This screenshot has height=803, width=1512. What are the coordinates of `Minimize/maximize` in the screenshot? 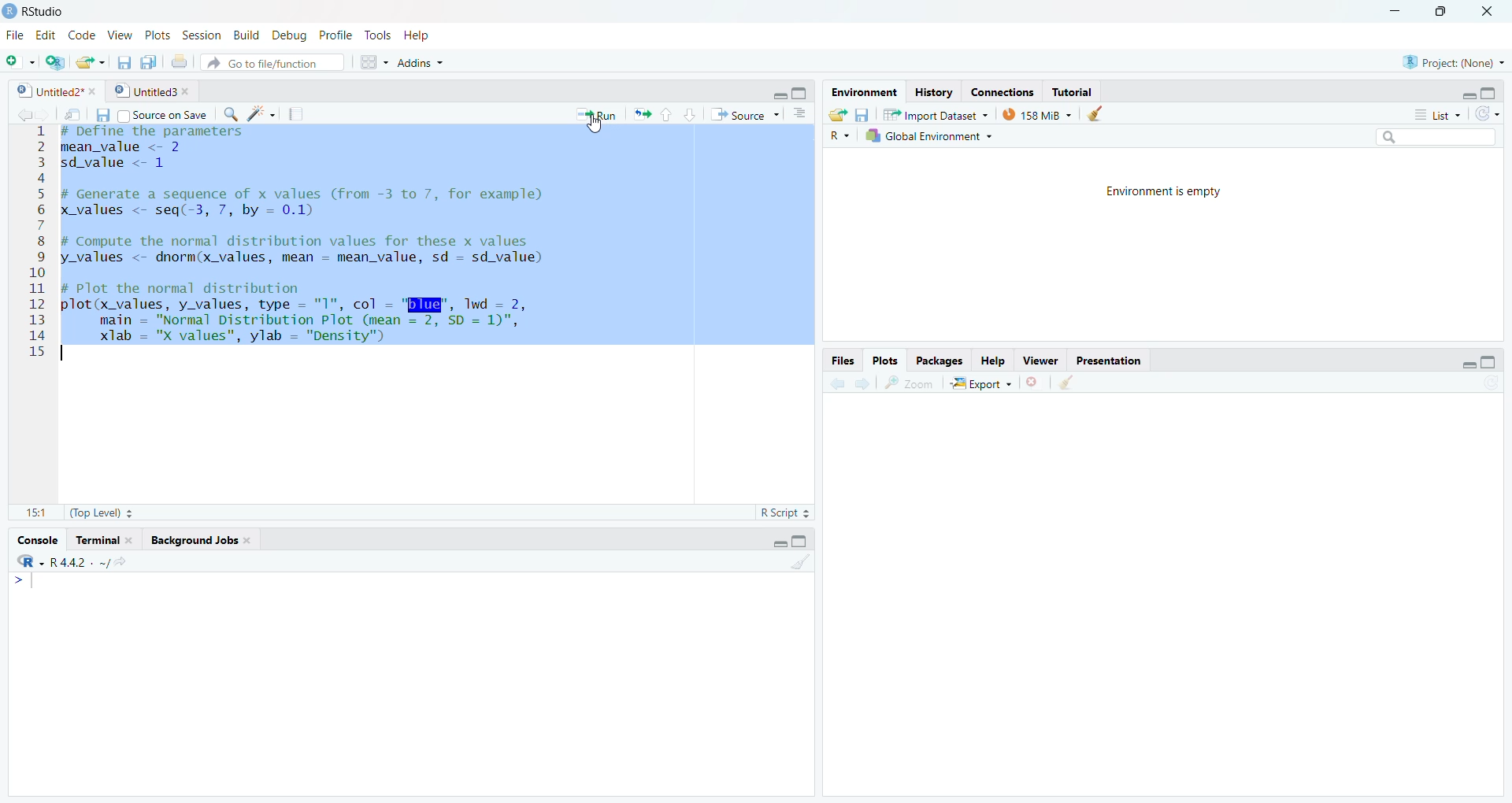 It's located at (1466, 92).